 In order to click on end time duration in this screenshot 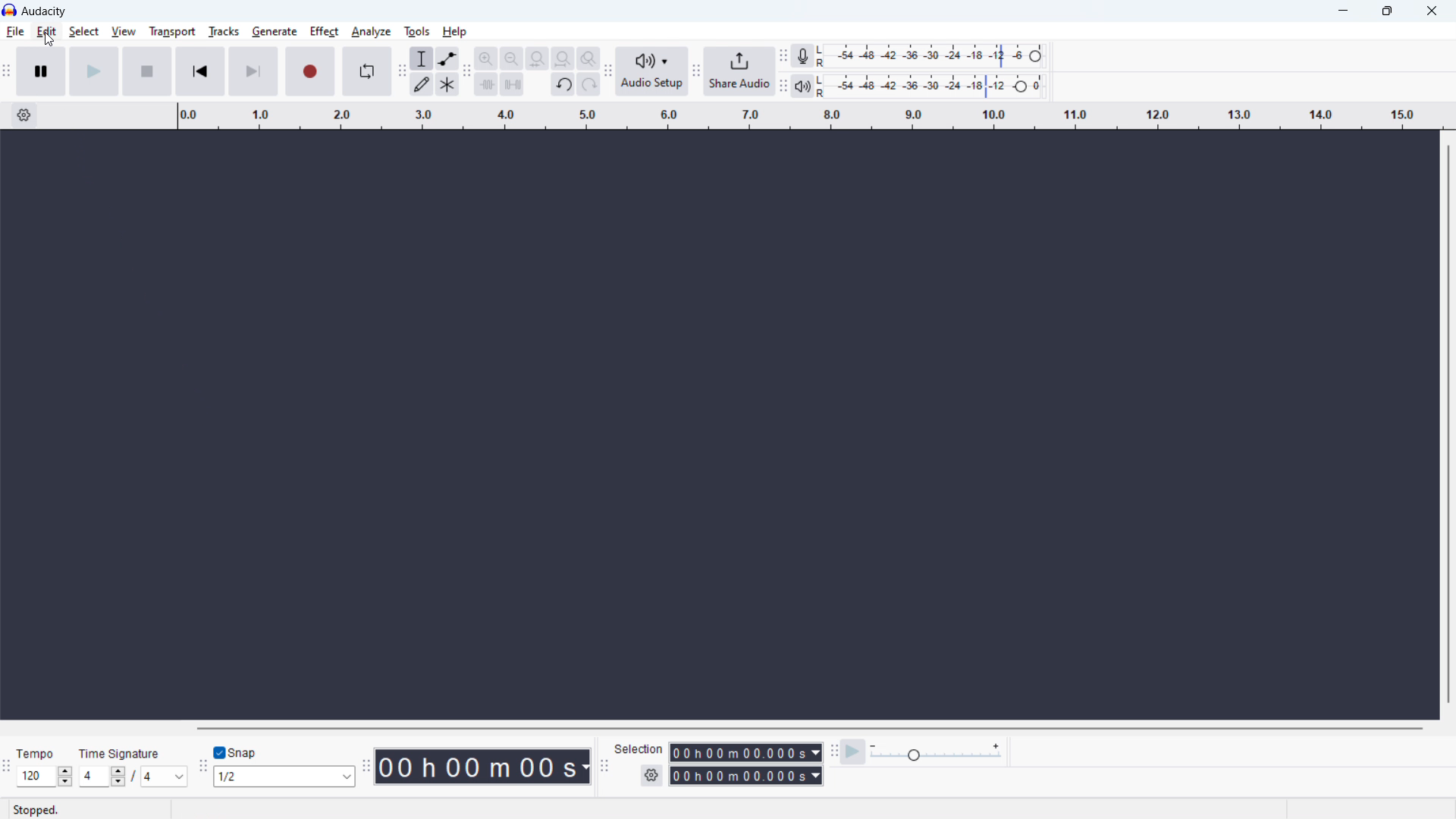, I will do `click(736, 776)`.